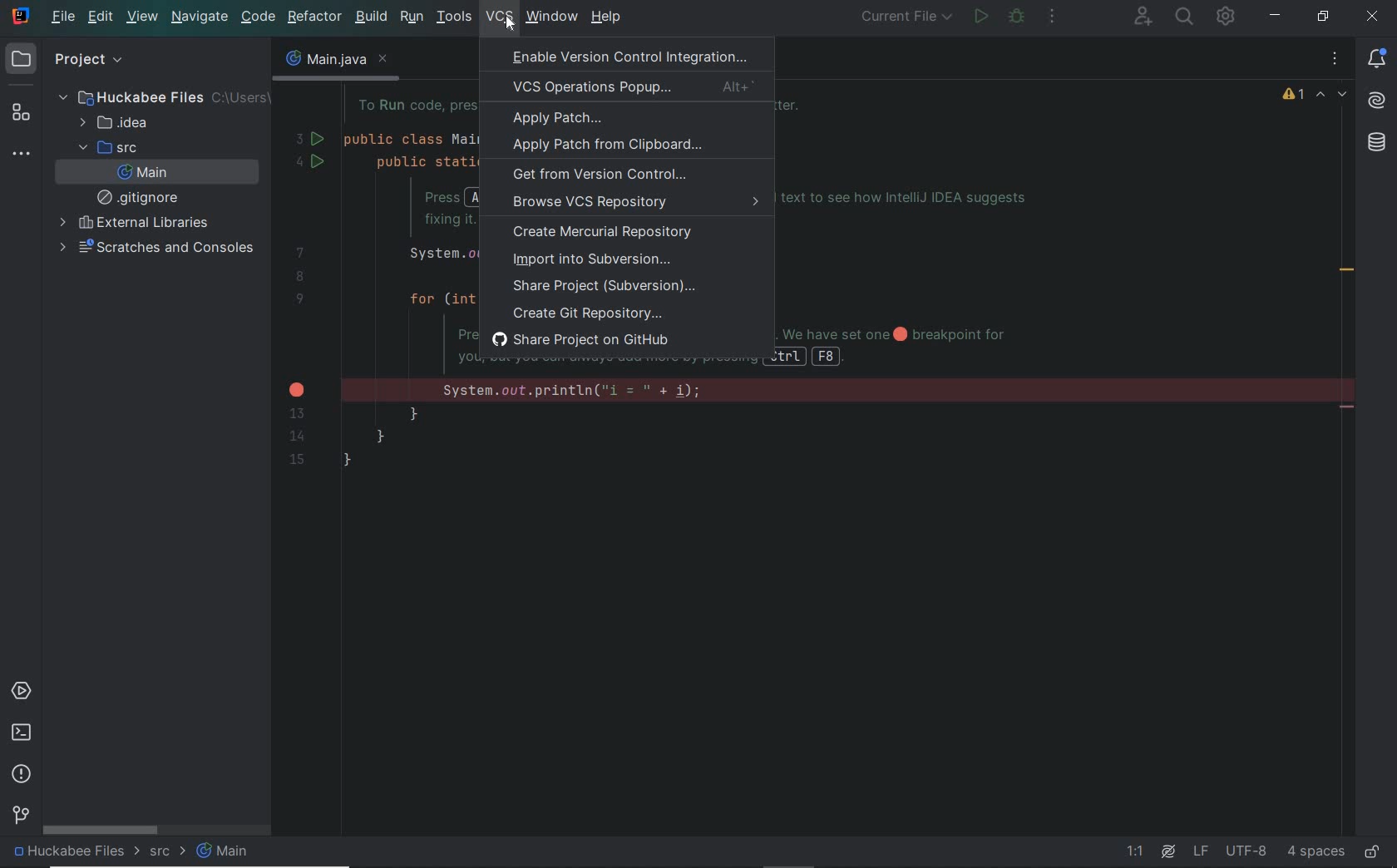 Image resolution: width=1397 pixels, height=868 pixels. What do you see at coordinates (158, 96) in the screenshot?
I see `Huckabee Files` at bounding box center [158, 96].